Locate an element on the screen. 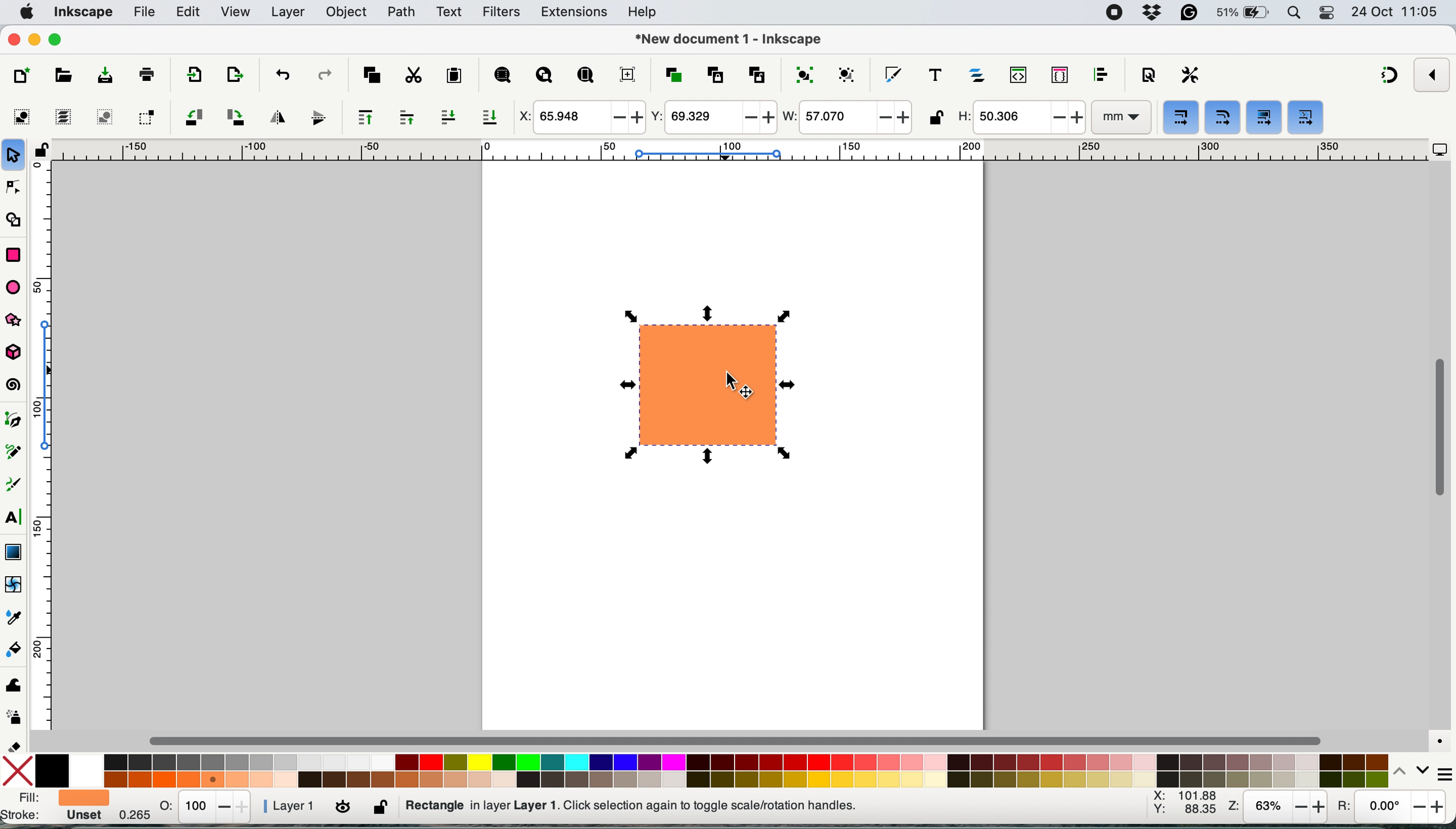 This screenshot has height=829, width=1456. lower selection to bottom is located at coordinates (493, 118).